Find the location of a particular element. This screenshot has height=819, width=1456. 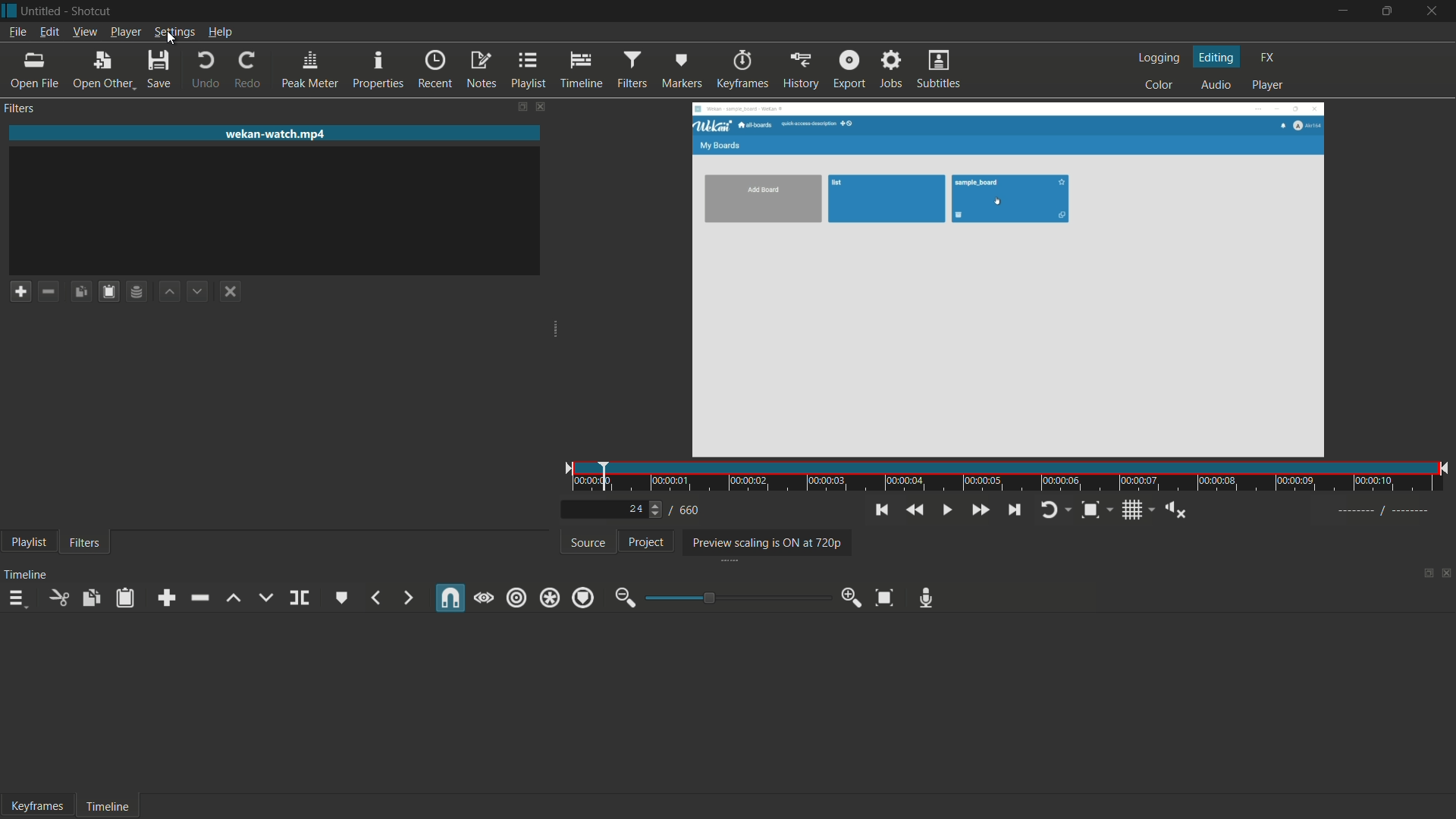

toggle zoom is located at coordinates (1090, 510).